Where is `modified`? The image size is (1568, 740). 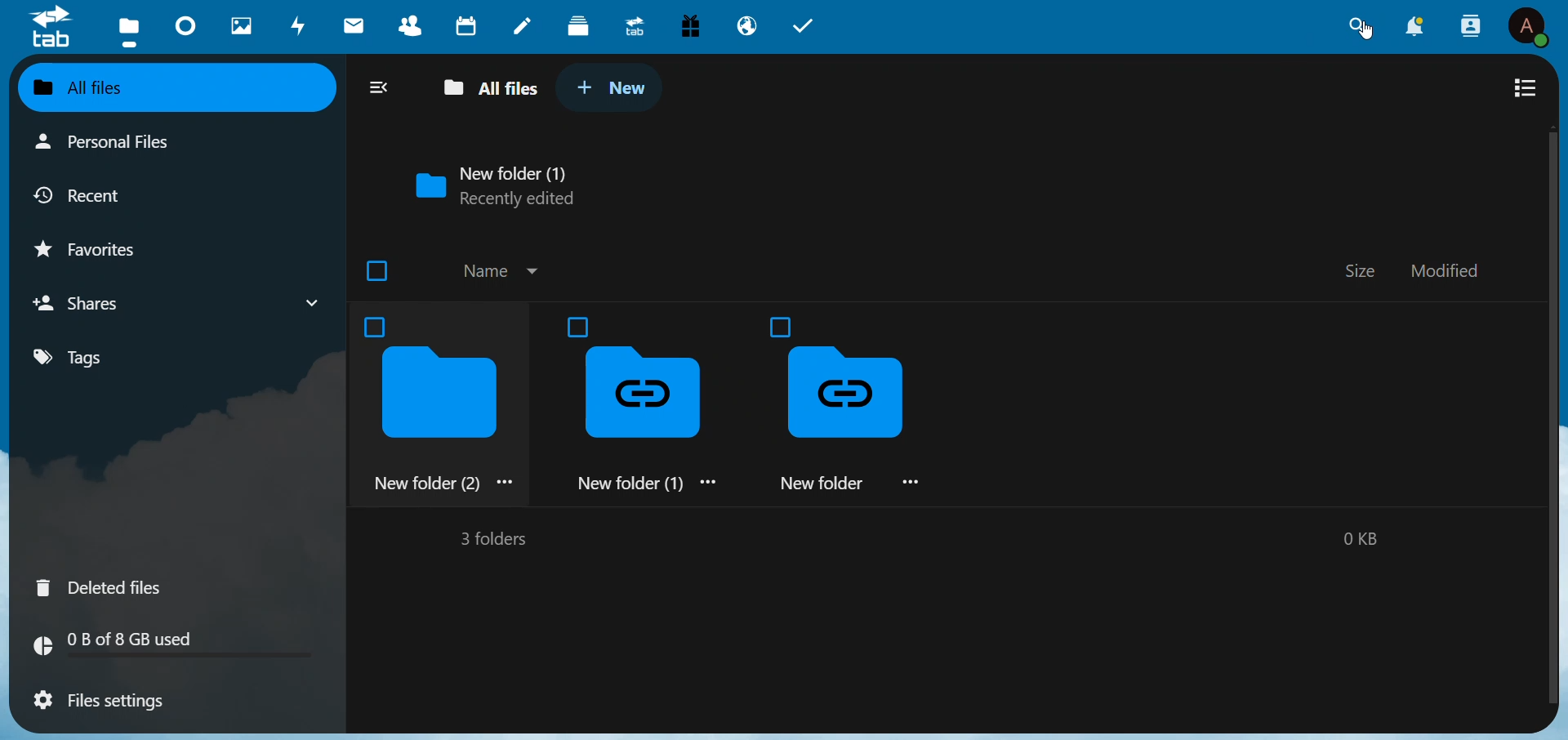 modified is located at coordinates (1446, 273).